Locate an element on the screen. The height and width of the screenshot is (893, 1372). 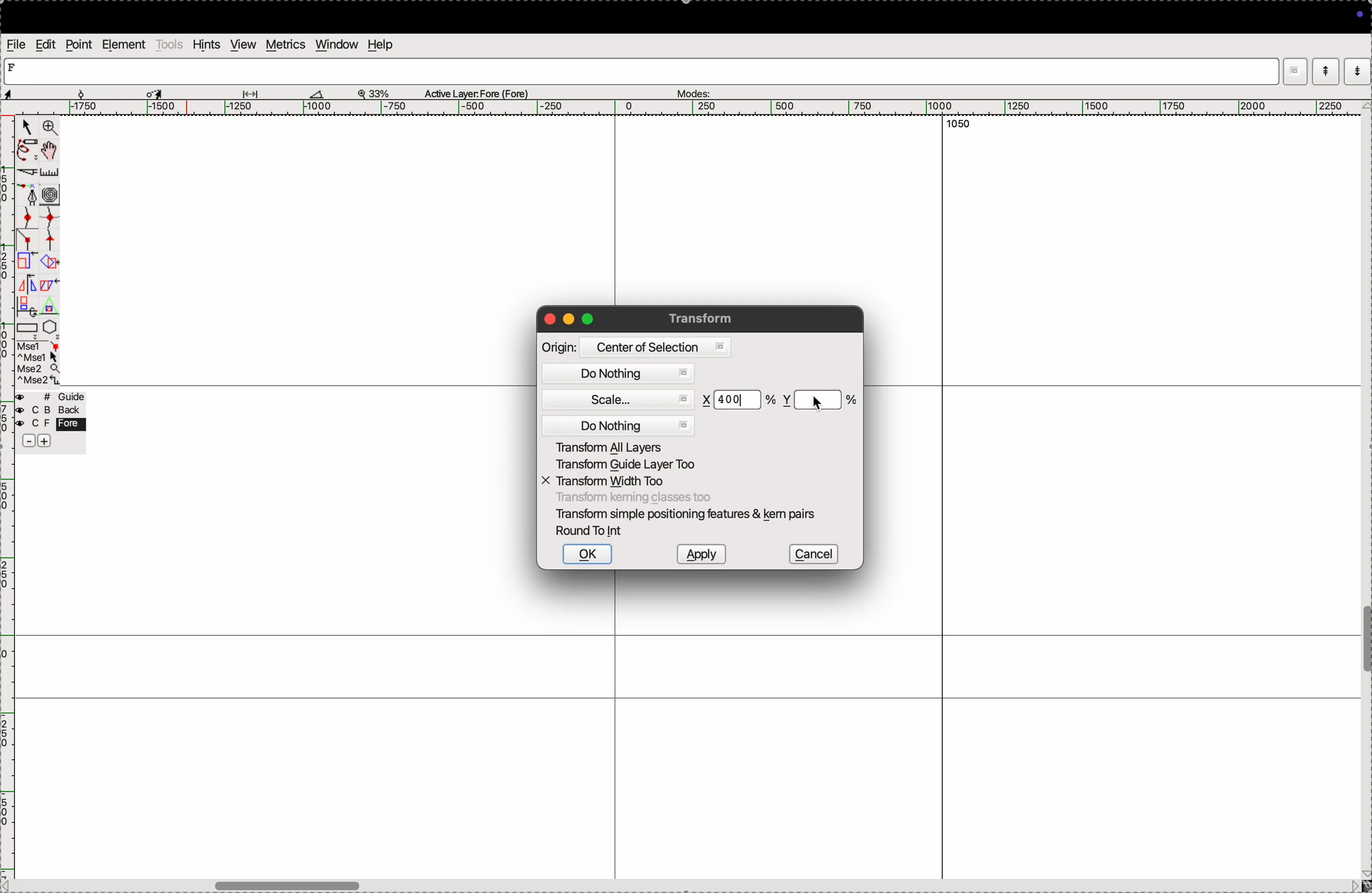
window mode is located at coordinates (1295, 73).